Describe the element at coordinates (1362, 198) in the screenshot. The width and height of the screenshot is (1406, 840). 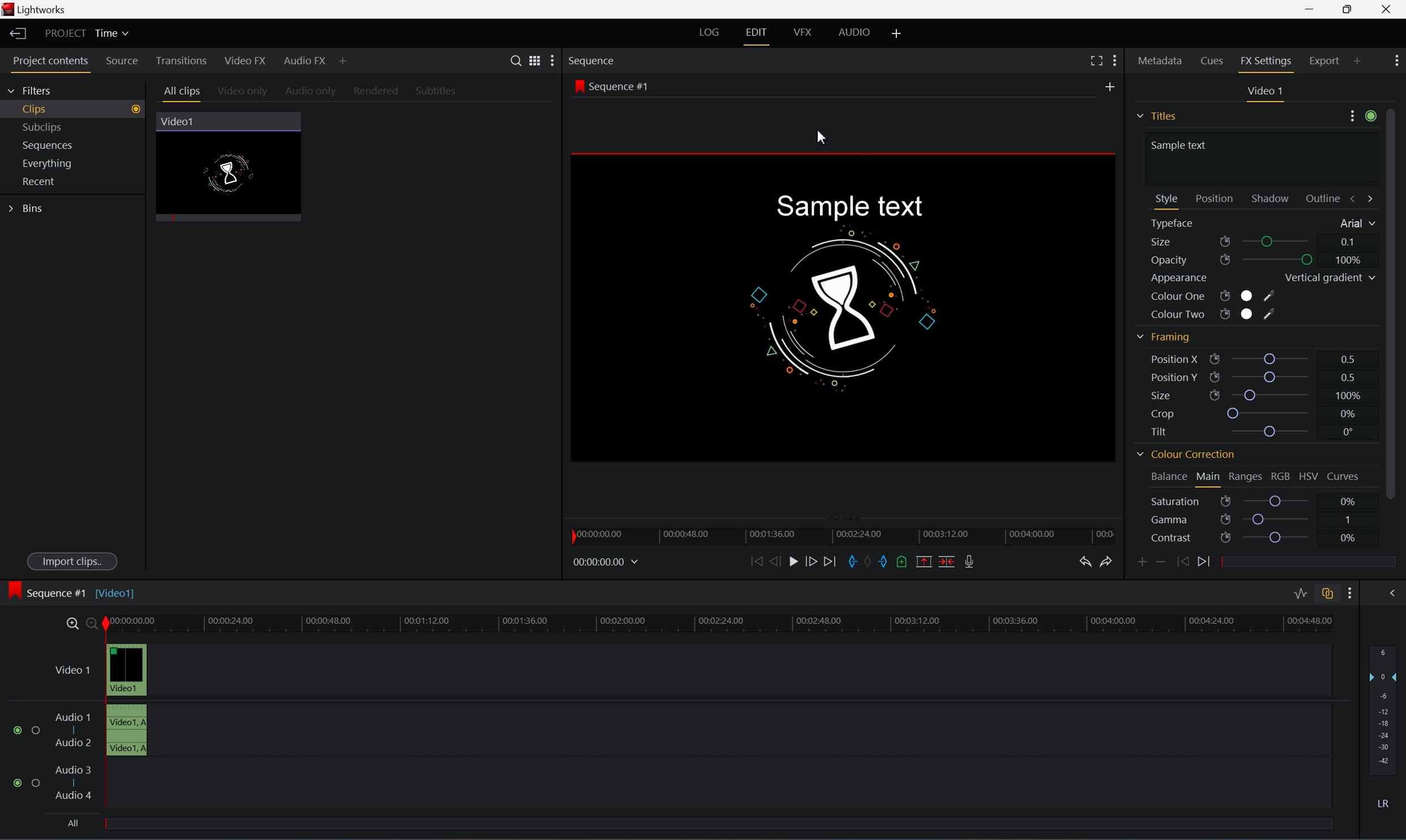
I see `back / forward` at that location.